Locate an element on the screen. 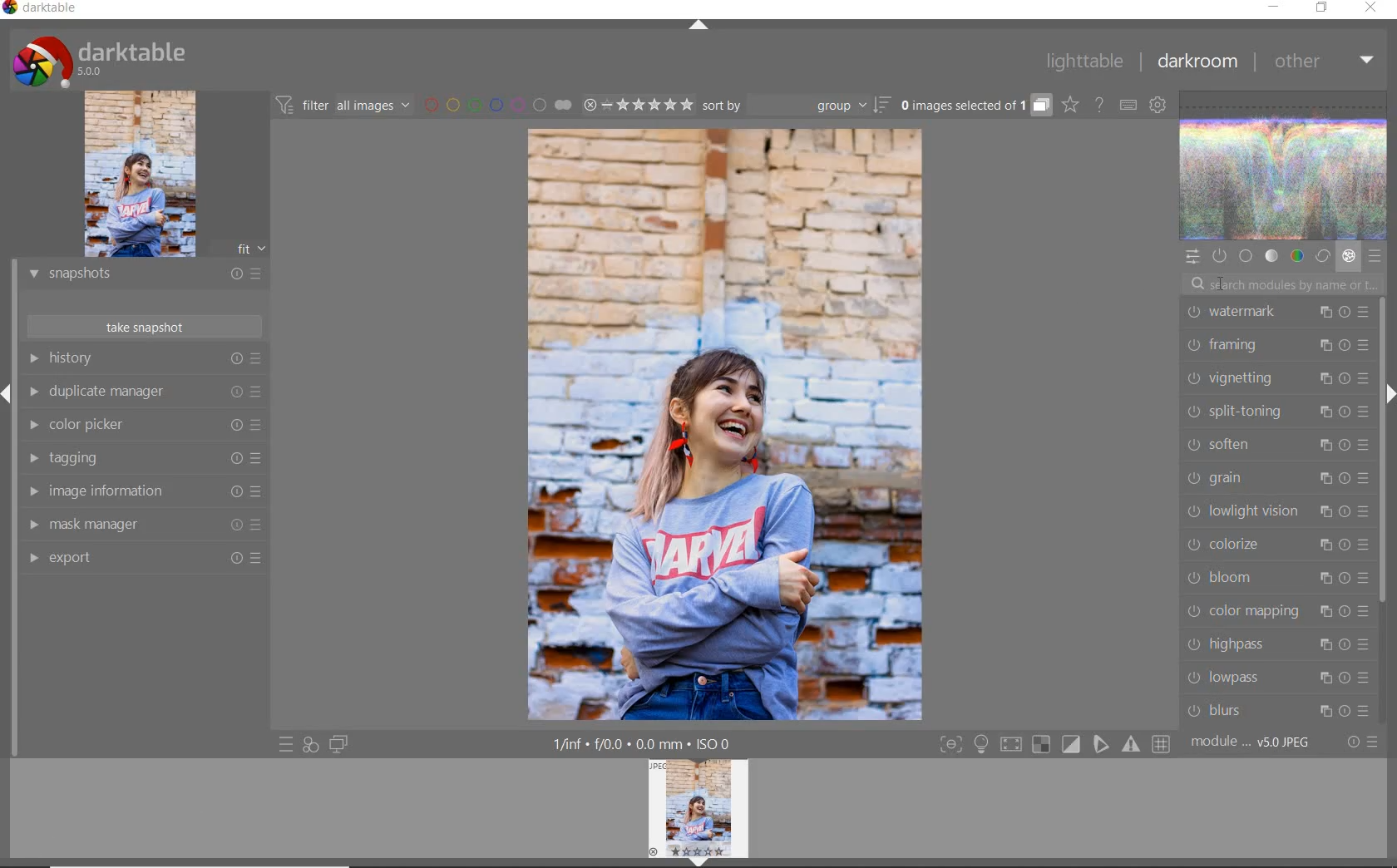 The image size is (1397, 868). vignetting is located at coordinates (1276, 379).